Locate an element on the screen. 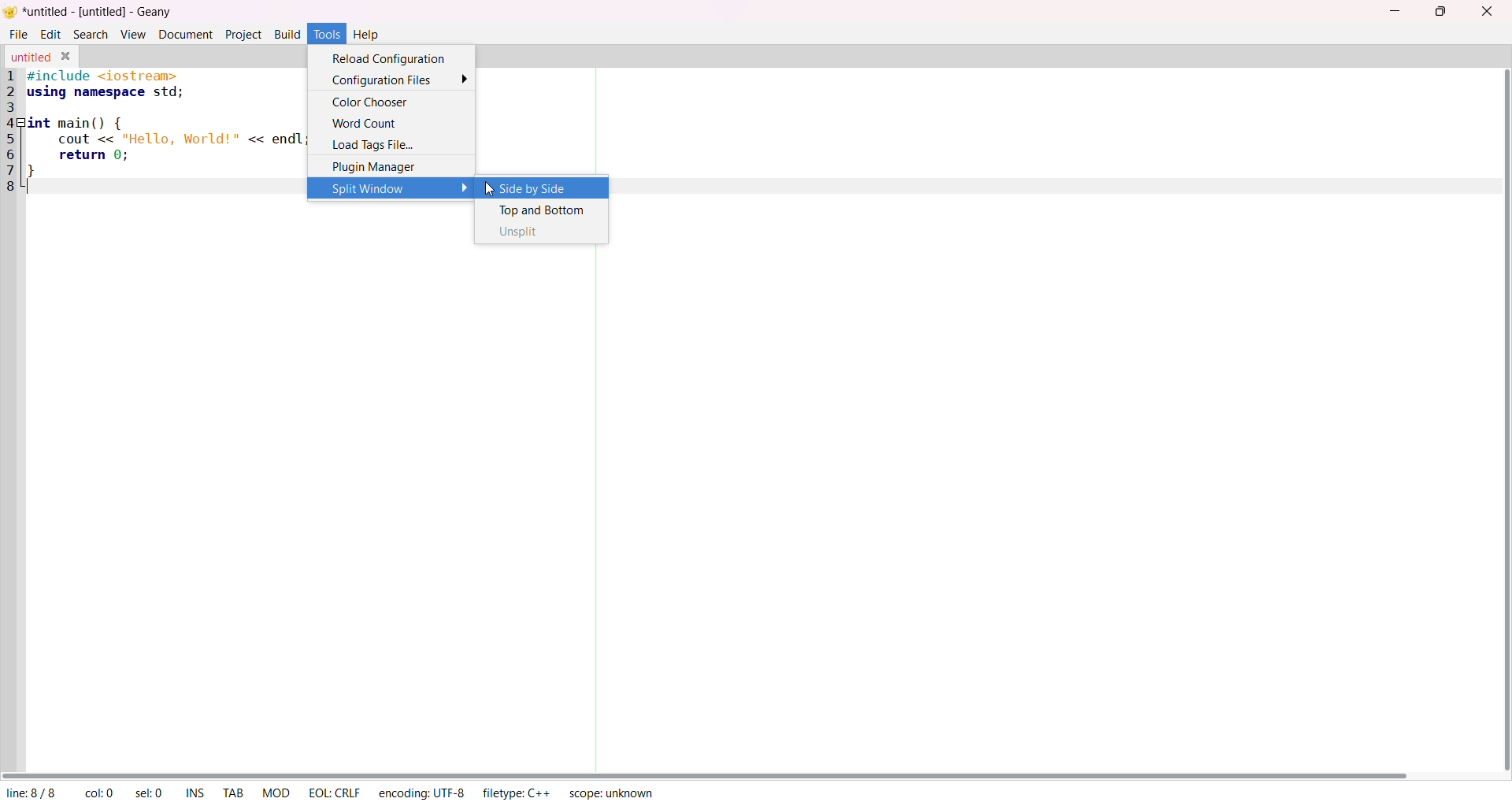 The image size is (1512, 802). EOL: CRLF is located at coordinates (332, 793).